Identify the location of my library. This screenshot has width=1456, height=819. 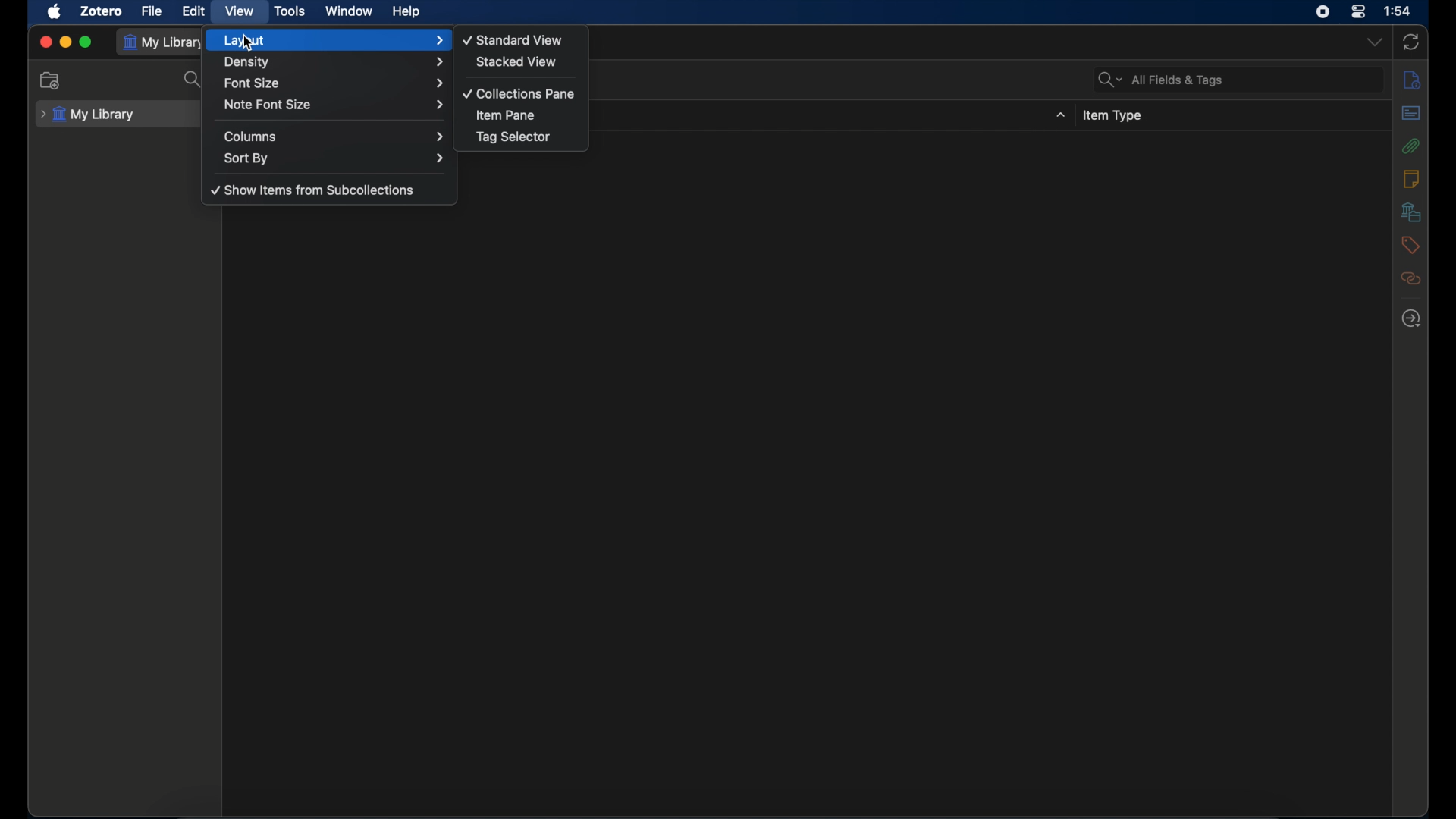
(165, 42).